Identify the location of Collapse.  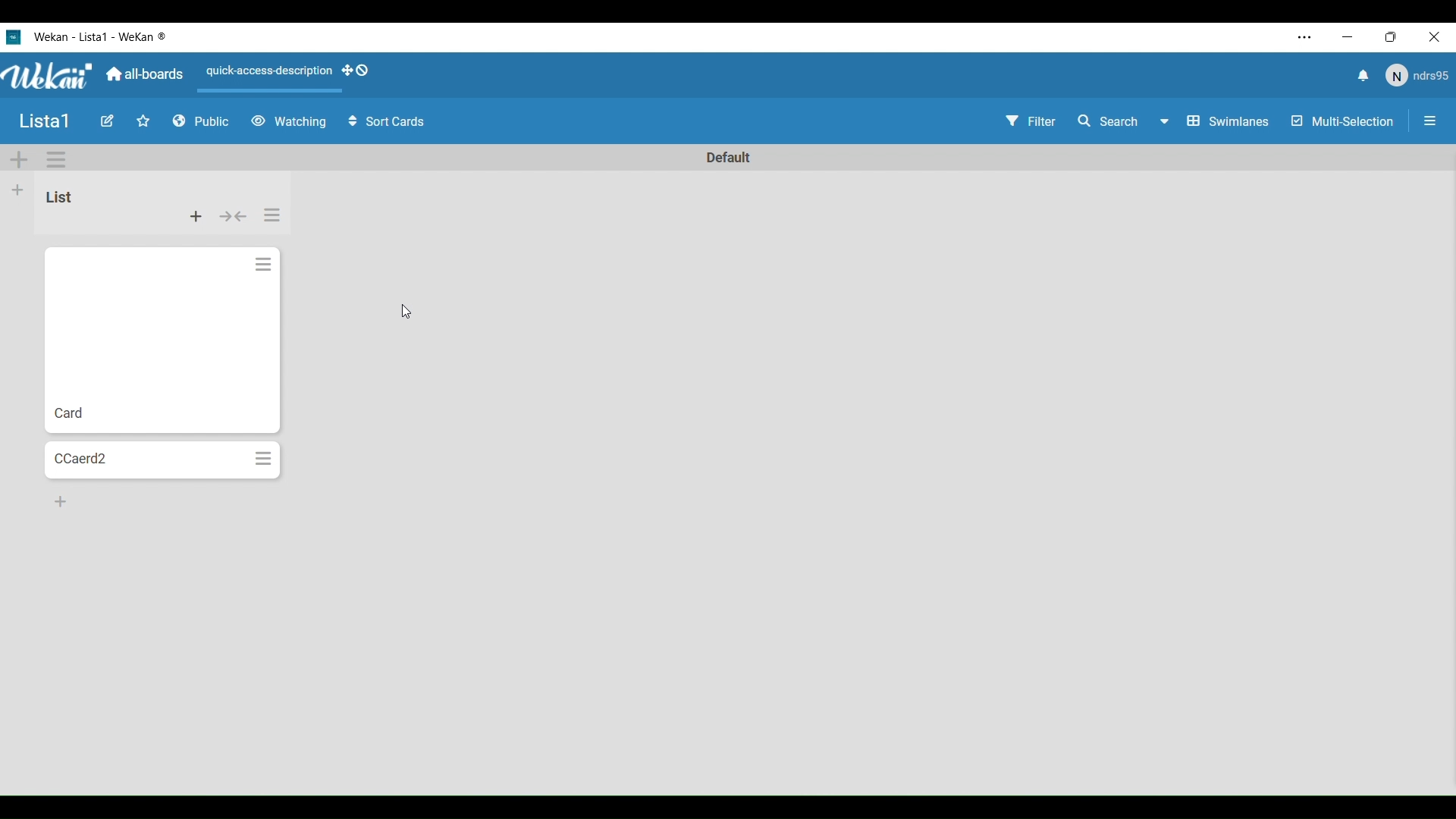
(233, 216).